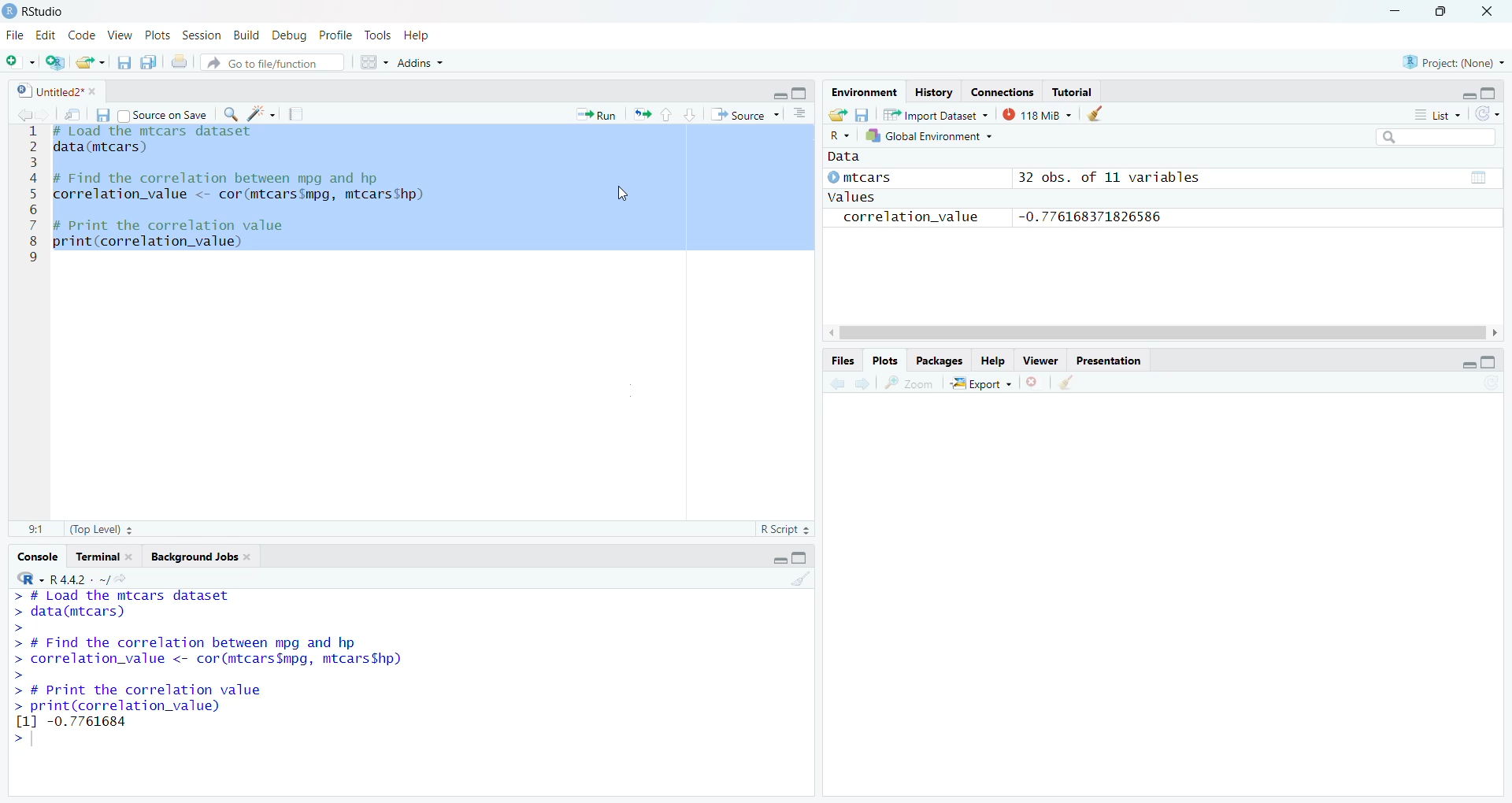 The height and width of the screenshot is (803, 1512). I want to click on Background Jobs, so click(198, 556).